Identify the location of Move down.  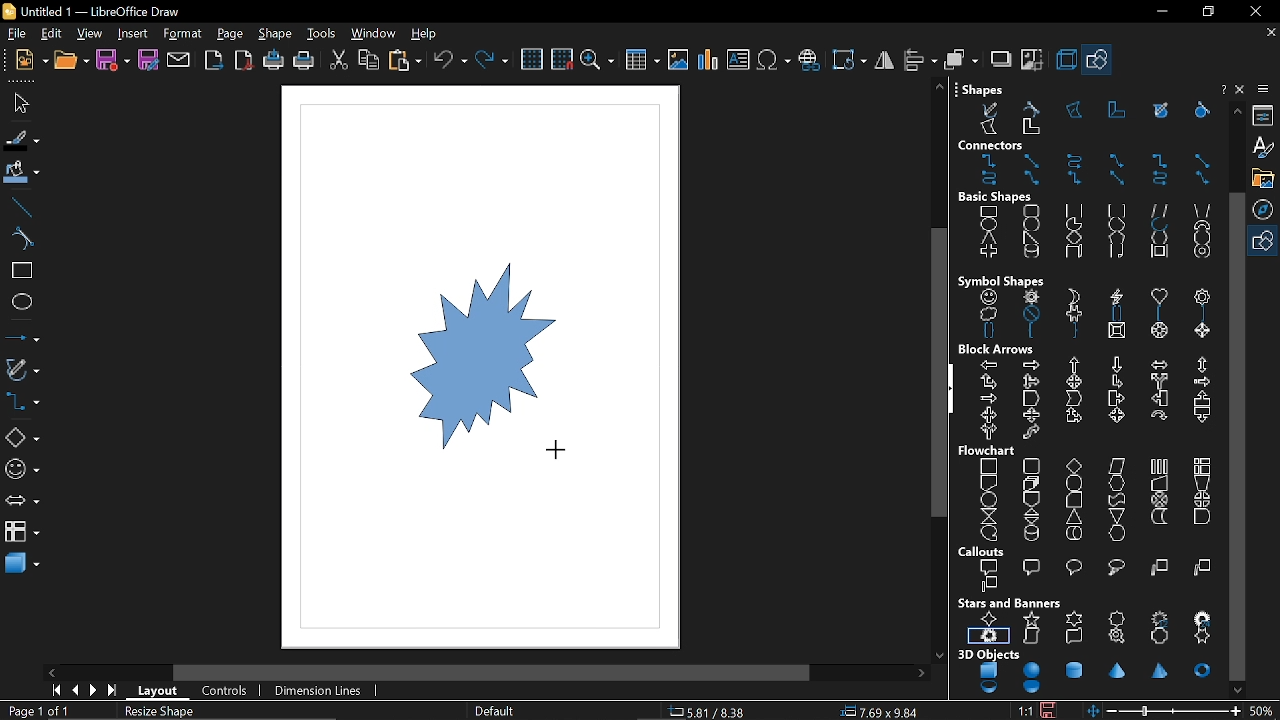
(1239, 690).